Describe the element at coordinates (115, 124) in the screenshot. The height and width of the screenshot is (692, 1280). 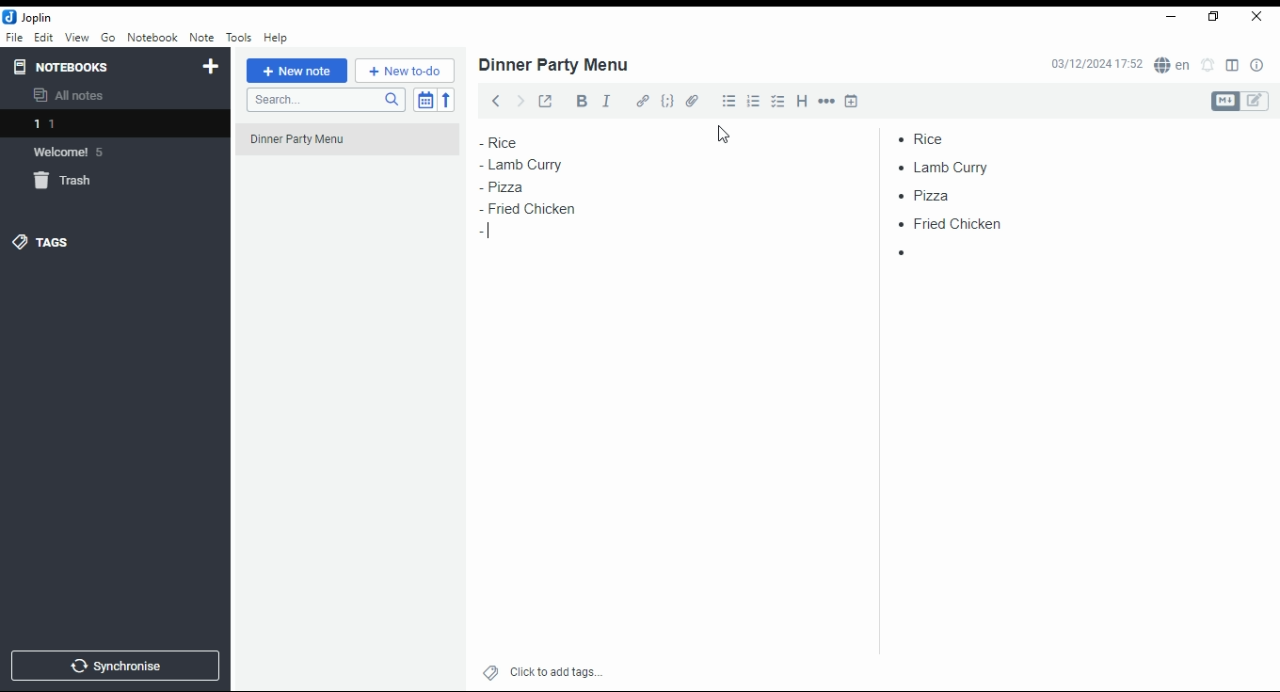
I see `1` at that location.